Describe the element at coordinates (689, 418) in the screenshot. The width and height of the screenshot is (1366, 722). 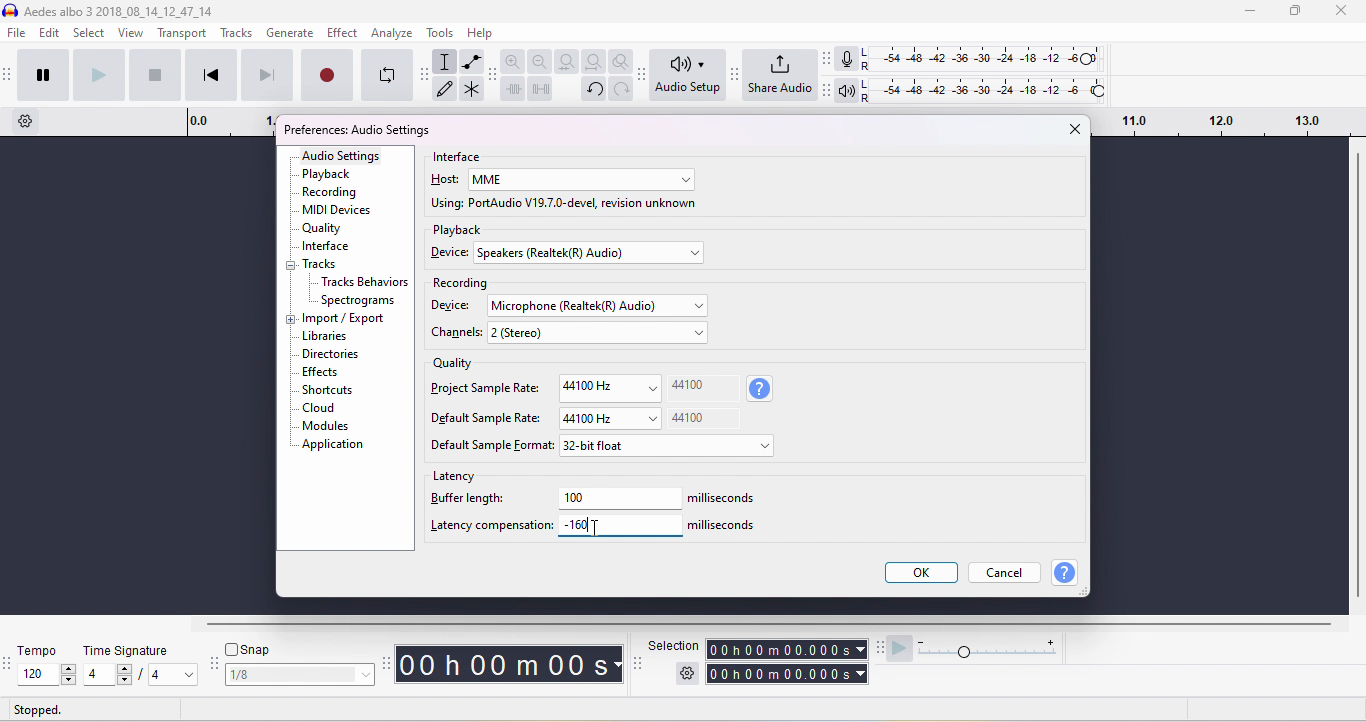
I see `44100` at that location.